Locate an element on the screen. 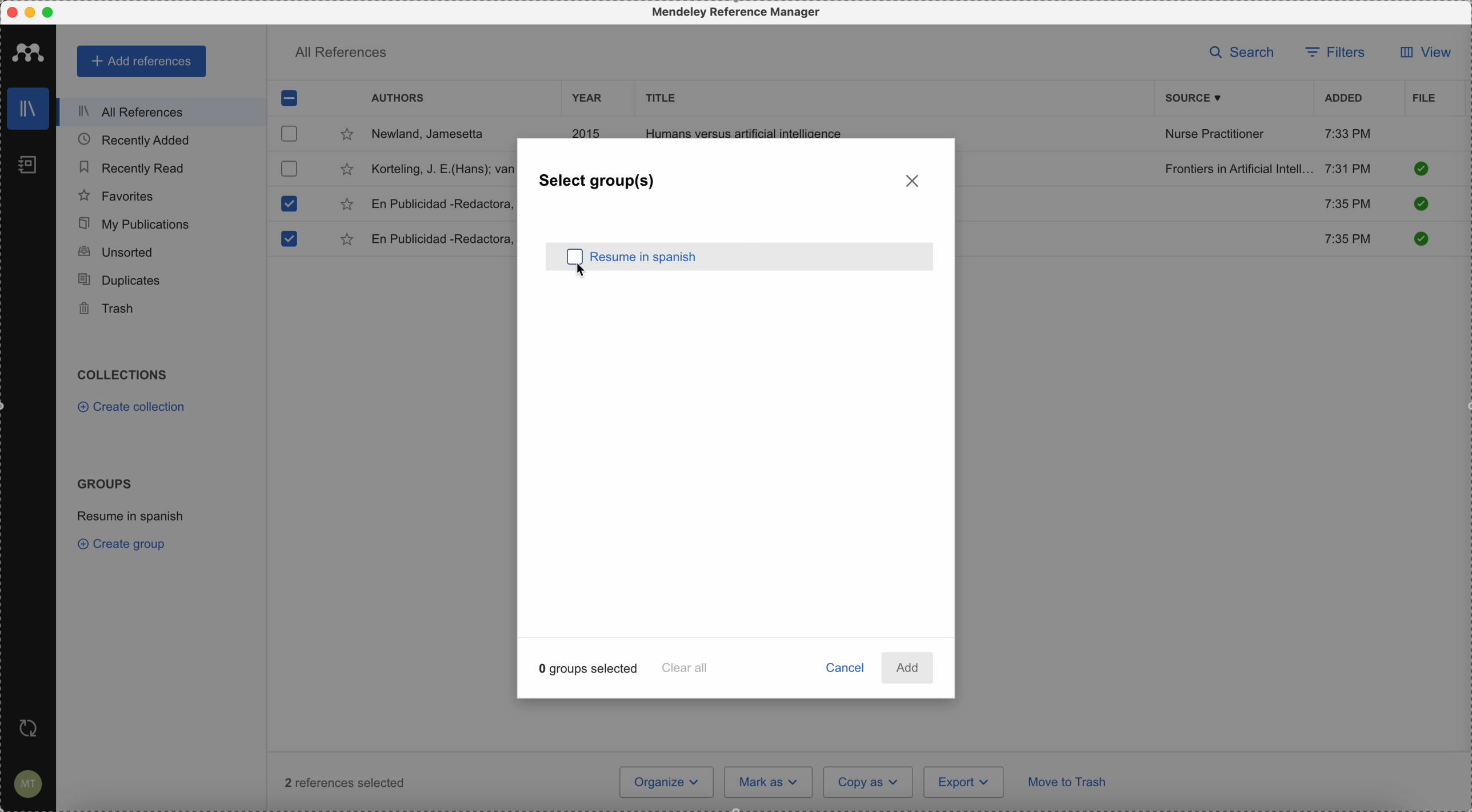 This screenshot has width=1472, height=812. add references is located at coordinates (143, 62).